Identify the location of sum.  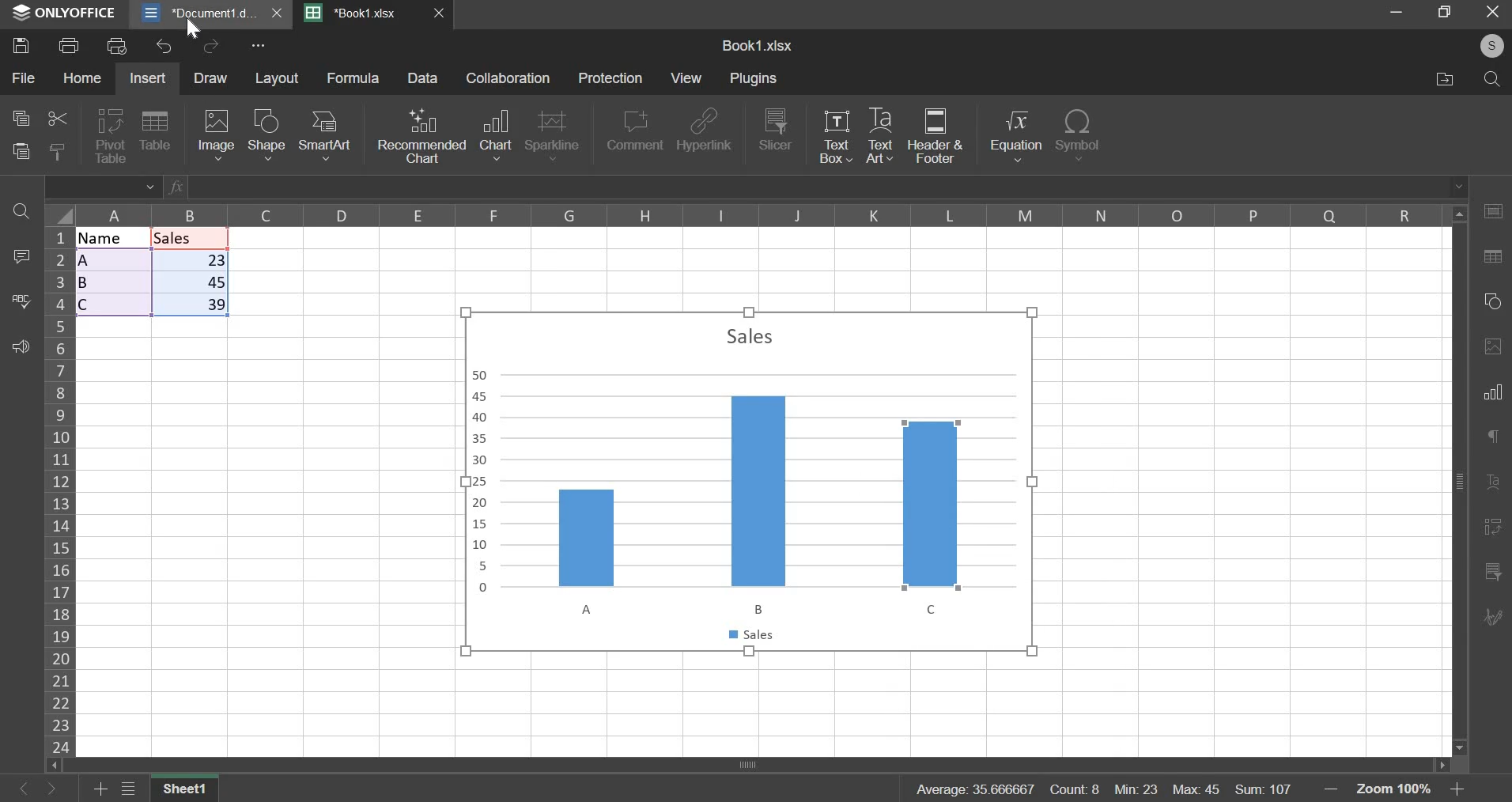
(1263, 789).